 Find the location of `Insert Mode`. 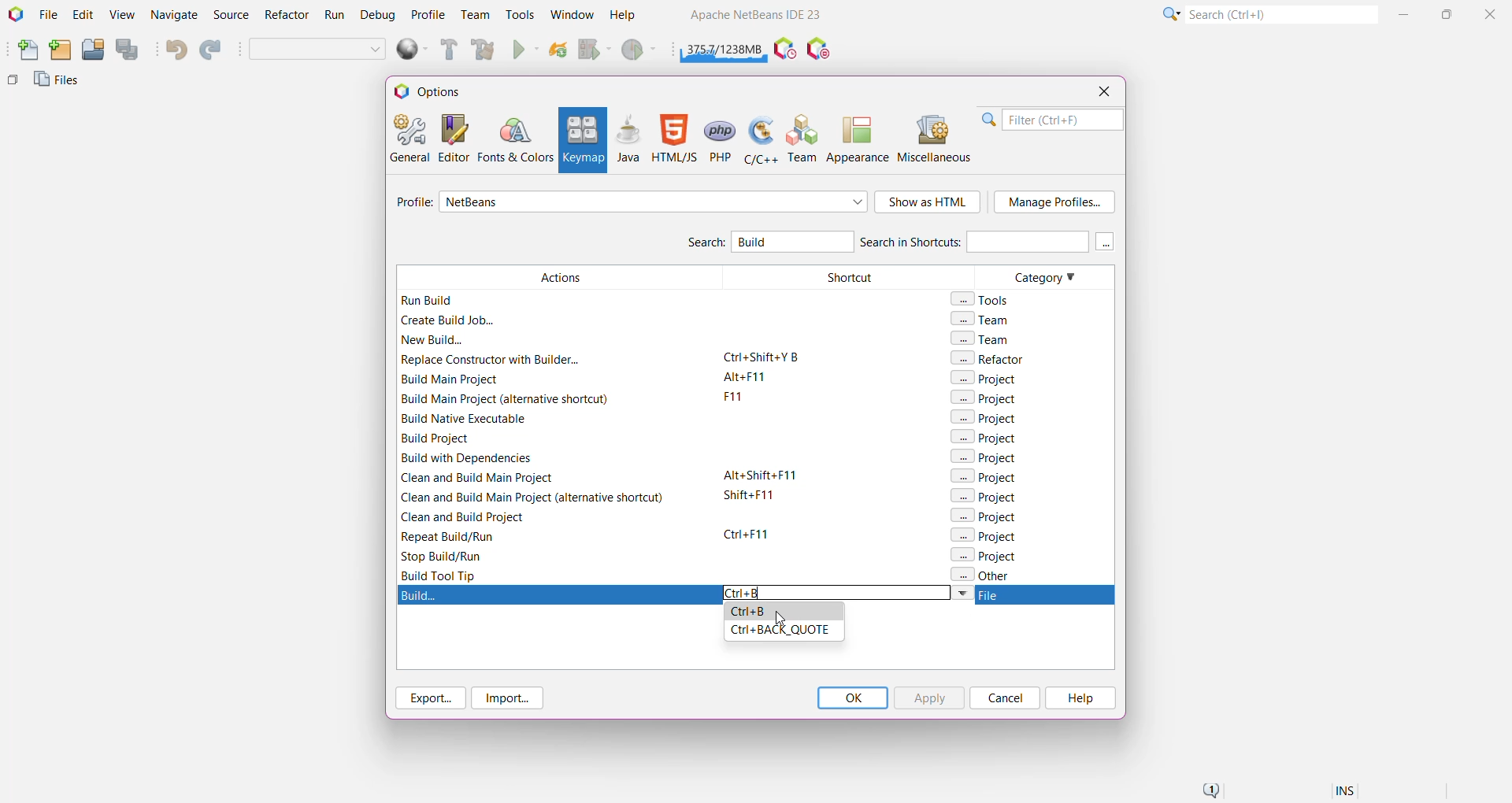

Insert Mode is located at coordinates (1347, 793).